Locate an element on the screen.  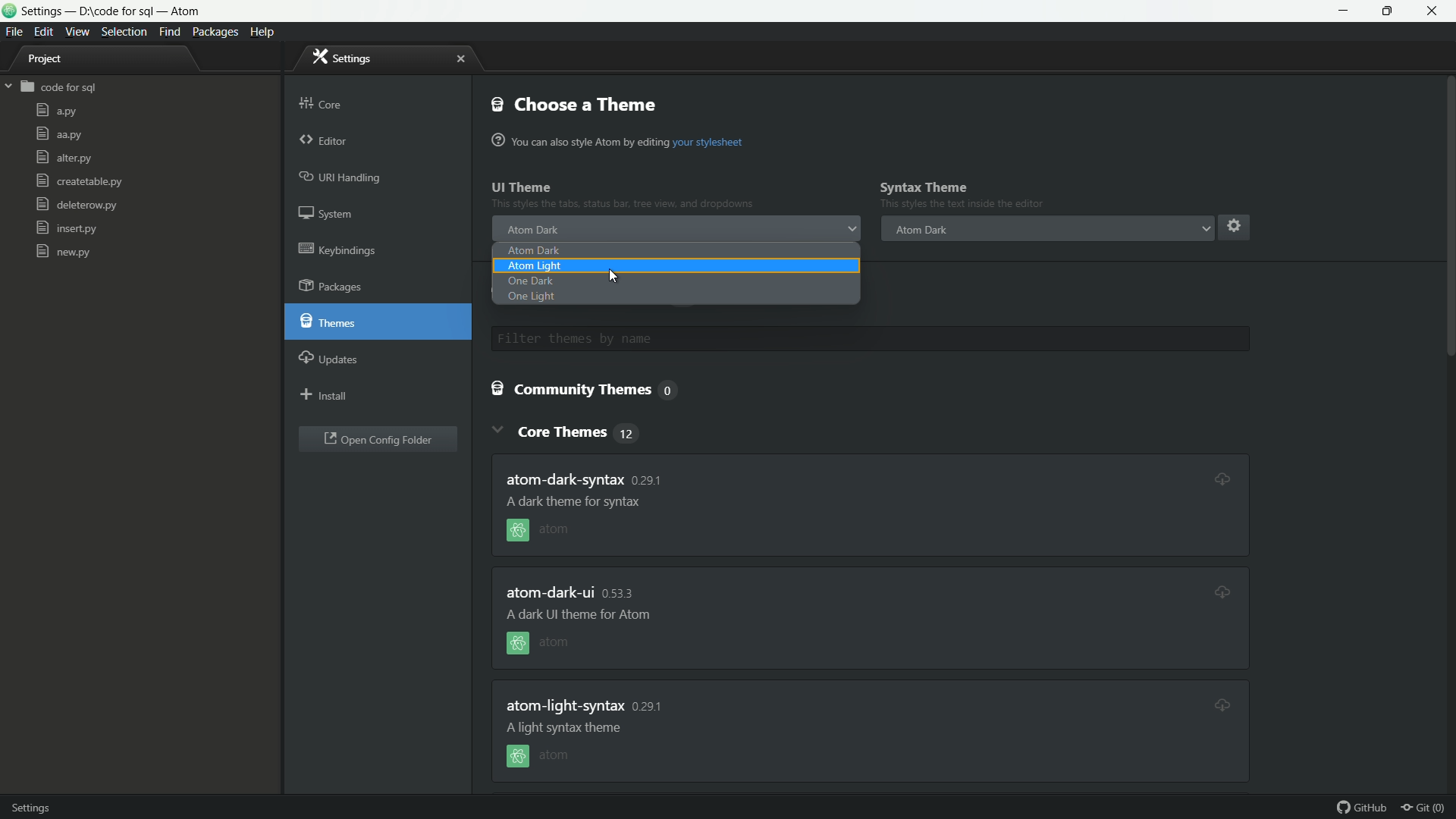
download is located at coordinates (1219, 704).